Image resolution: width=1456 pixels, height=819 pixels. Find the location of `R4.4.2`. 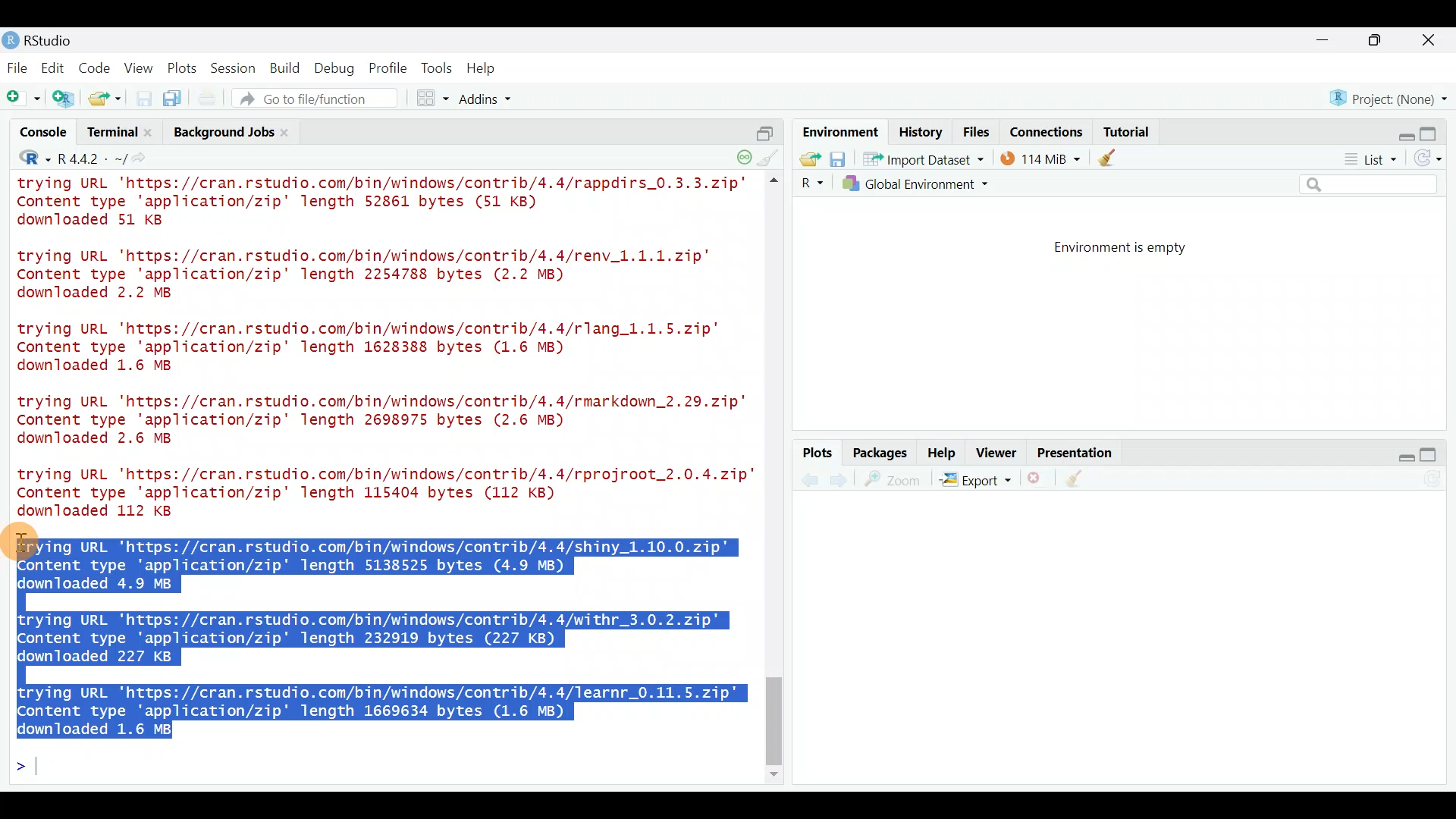

R4.4.2 is located at coordinates (91, 158).